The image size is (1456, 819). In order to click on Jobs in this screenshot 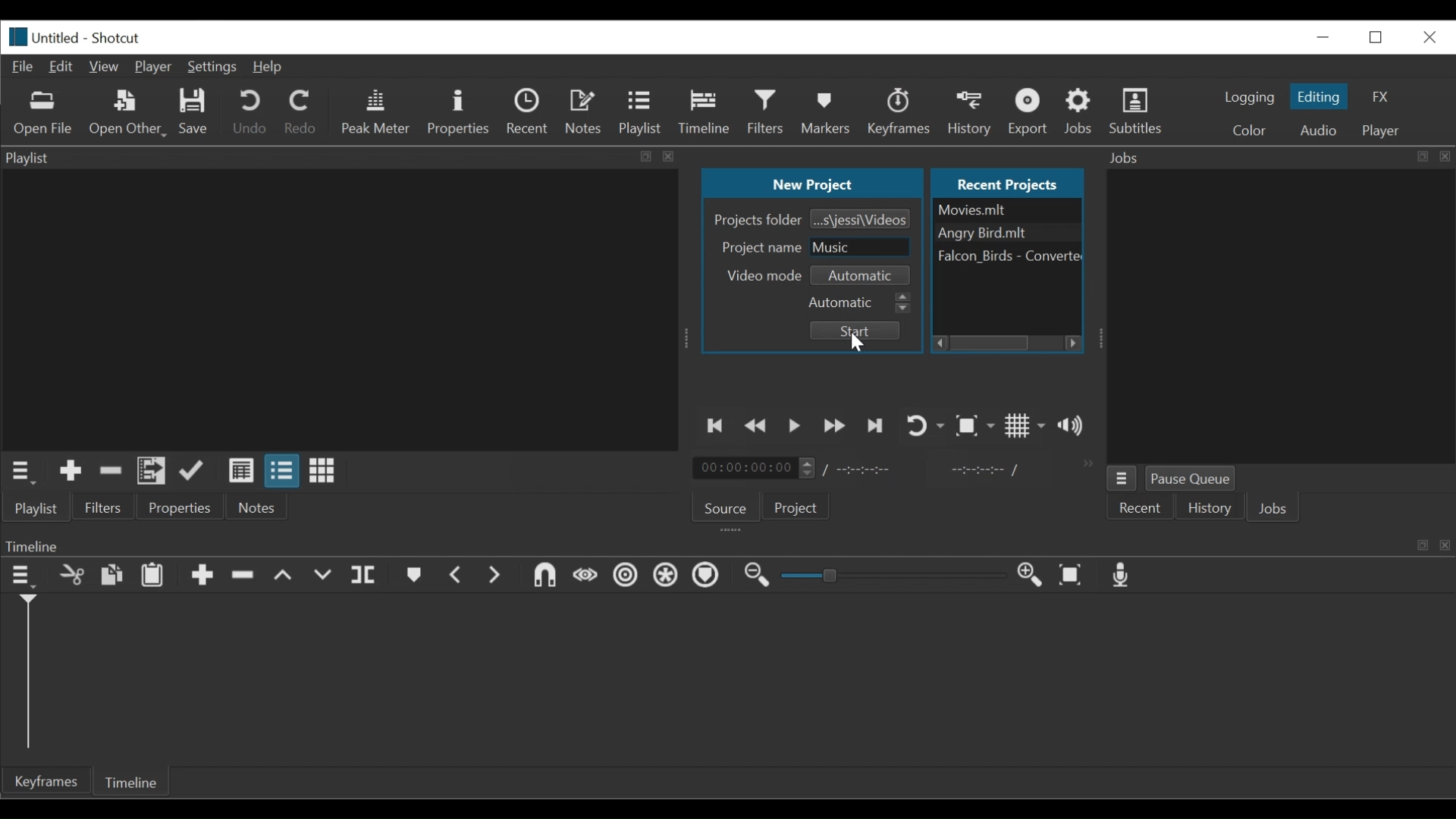, I will do `click(1080, 113)`.